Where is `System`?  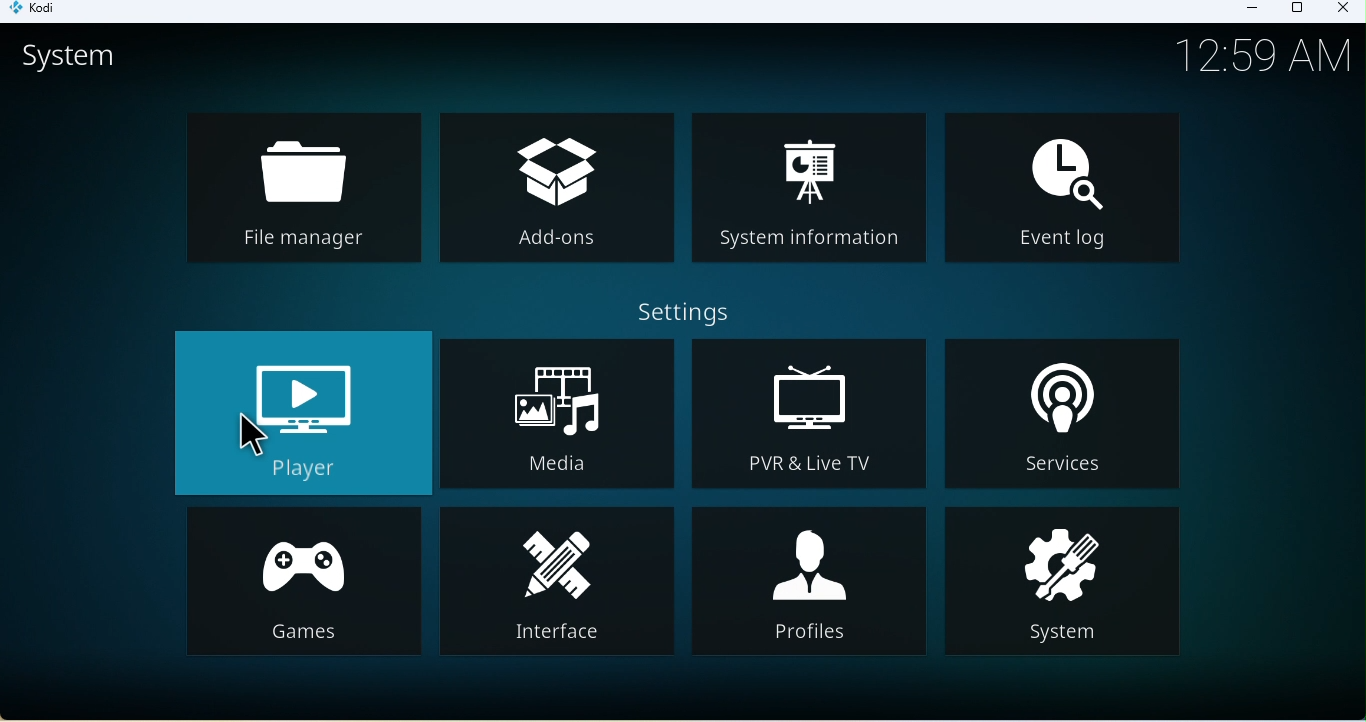 System is located at coordinates (1067, 585).